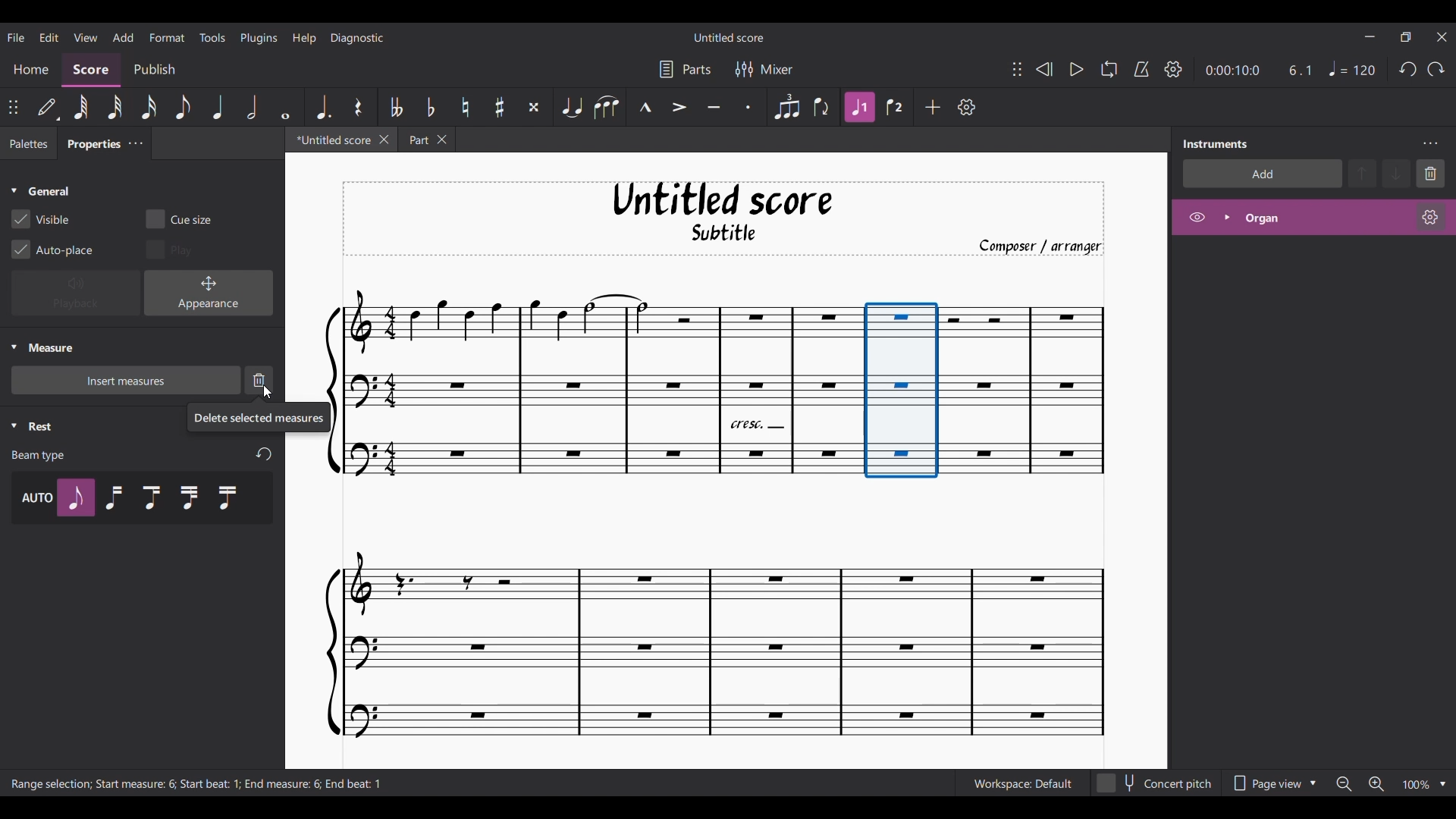 This screenshot has height=819, width=1456. Describe the element at coordinates (198, 784) in the screenshot. I see `Description of current selection changed` at that location.